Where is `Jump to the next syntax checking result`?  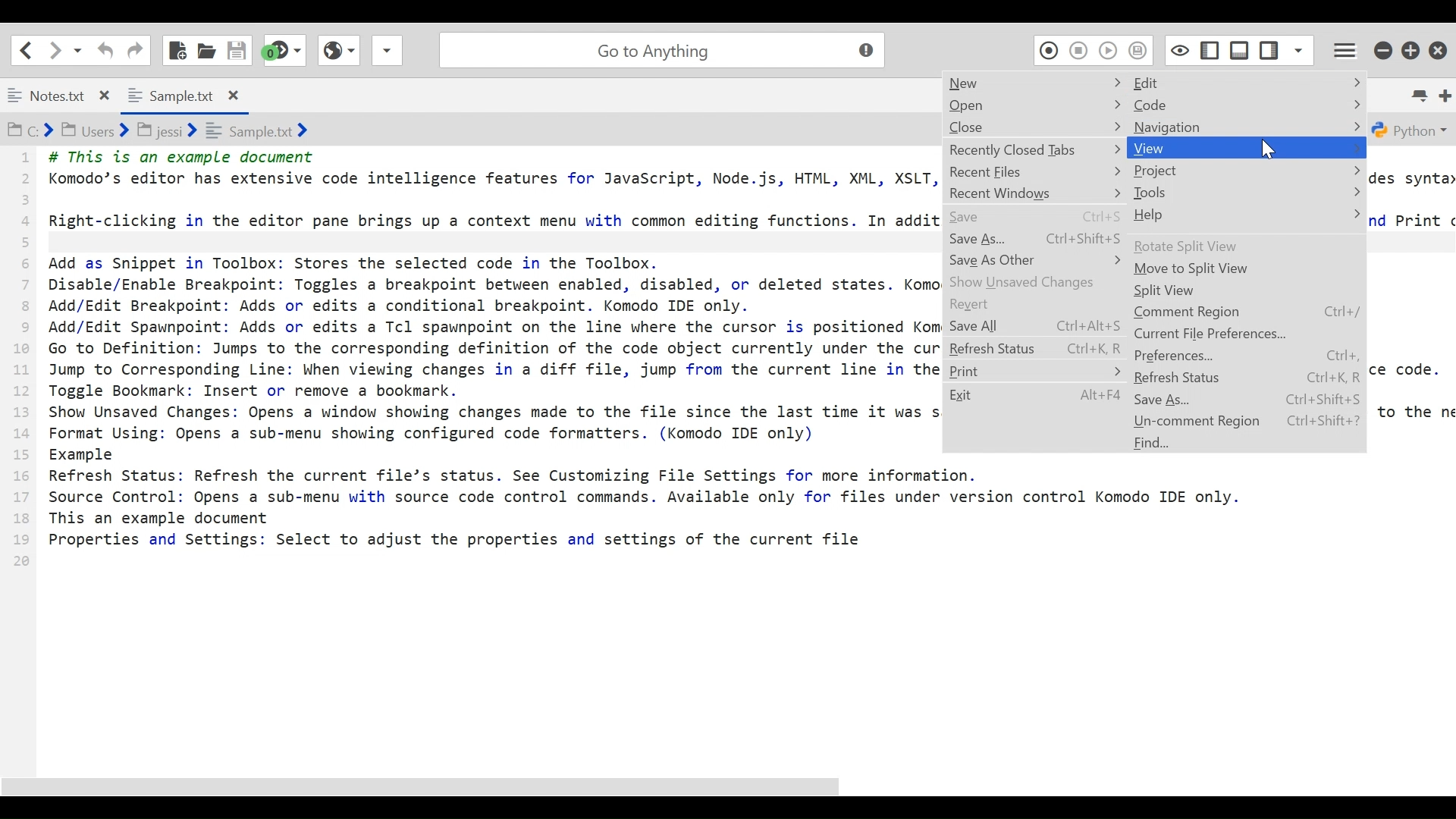 Jump to the next syntax checking result is located at coordinates (285, 50).